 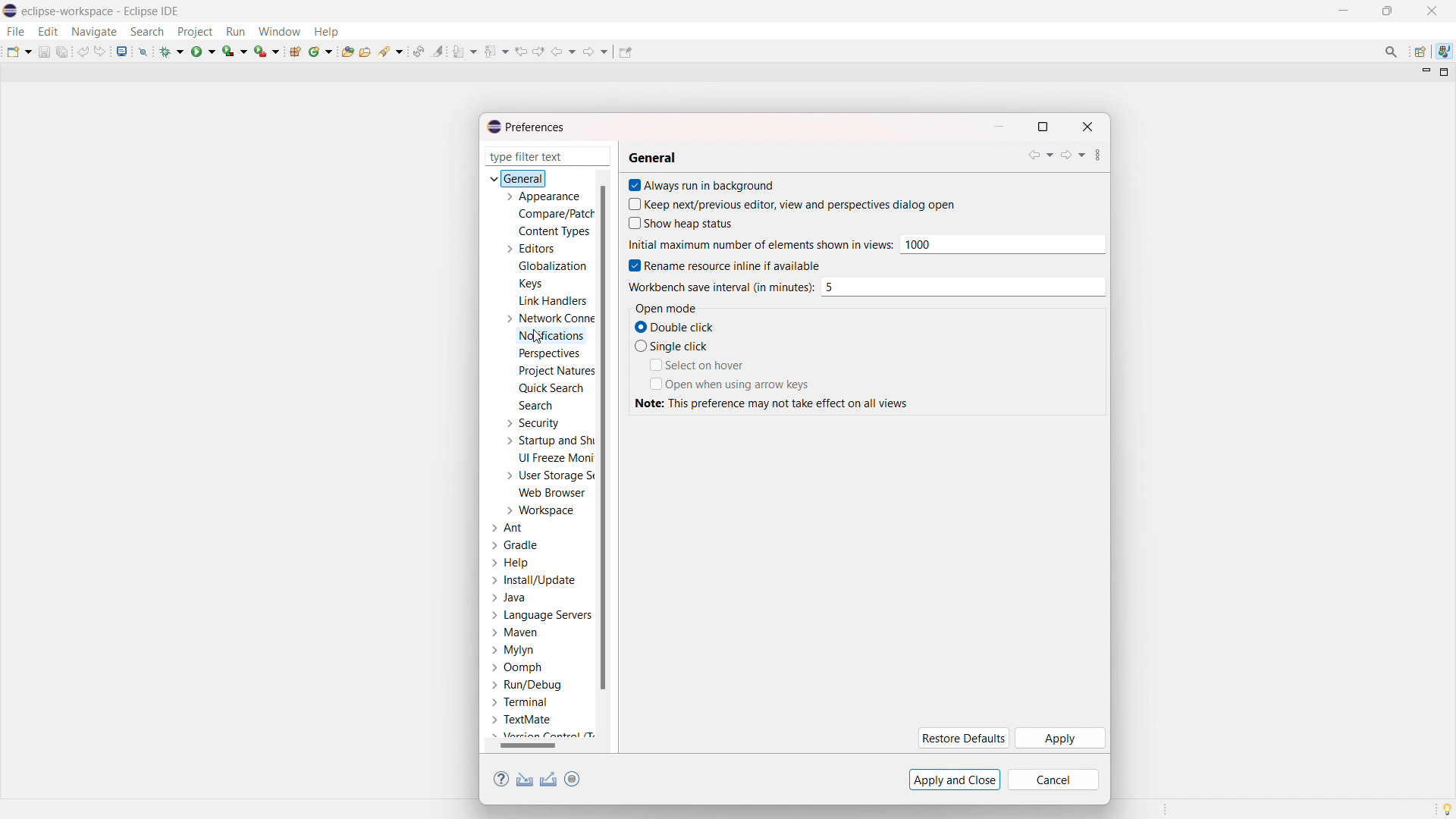 What do you see at coordinates (1001, 244) in the screenshot?
I see `initial maximum number of elements shown in views` at bounding box center [1001, 244].